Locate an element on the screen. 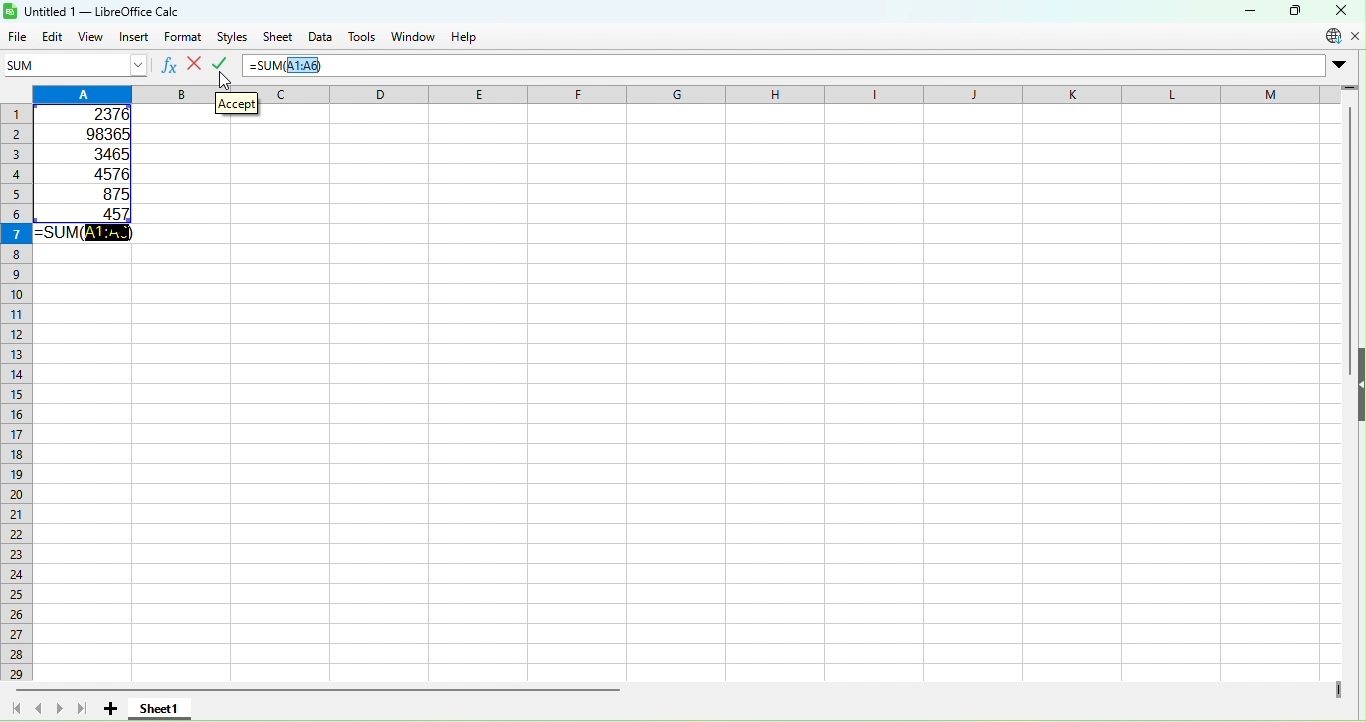 This screenshot has height=722, width=1366. Close is located at coordinates (1339, 10).